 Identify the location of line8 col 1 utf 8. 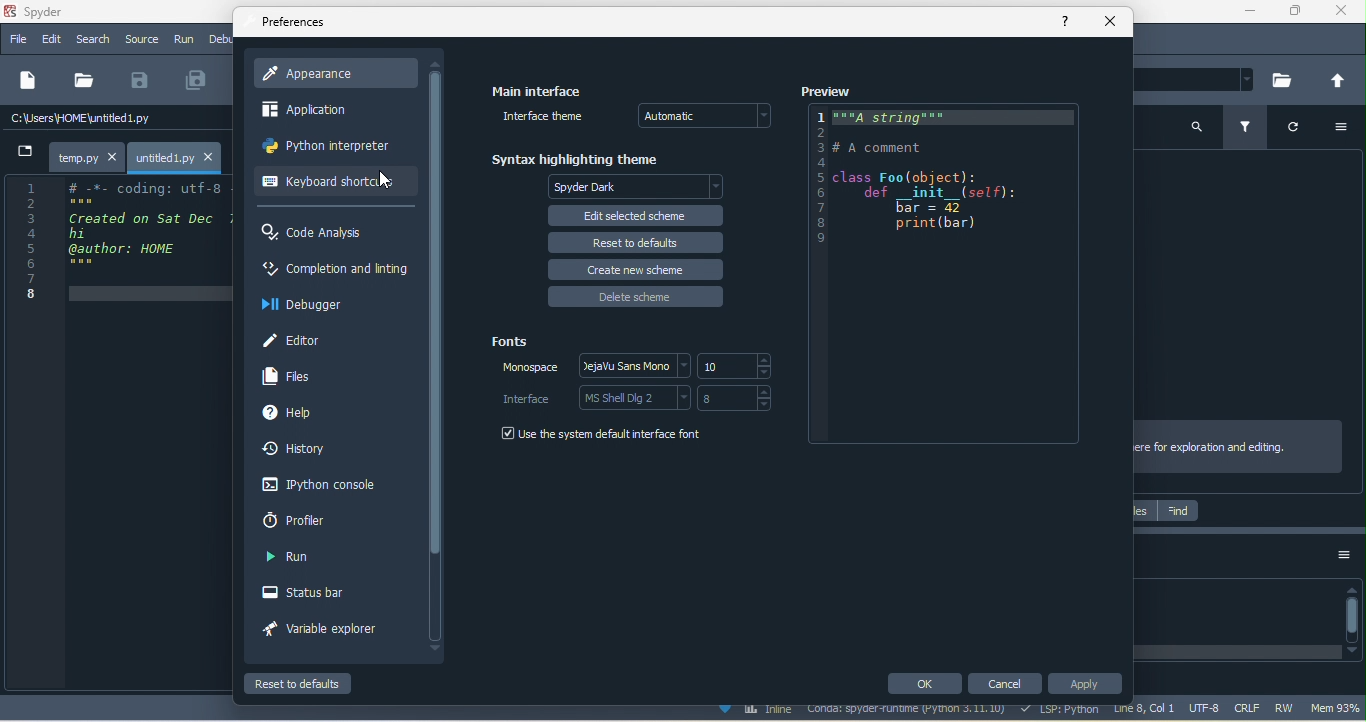
(1167, 711).